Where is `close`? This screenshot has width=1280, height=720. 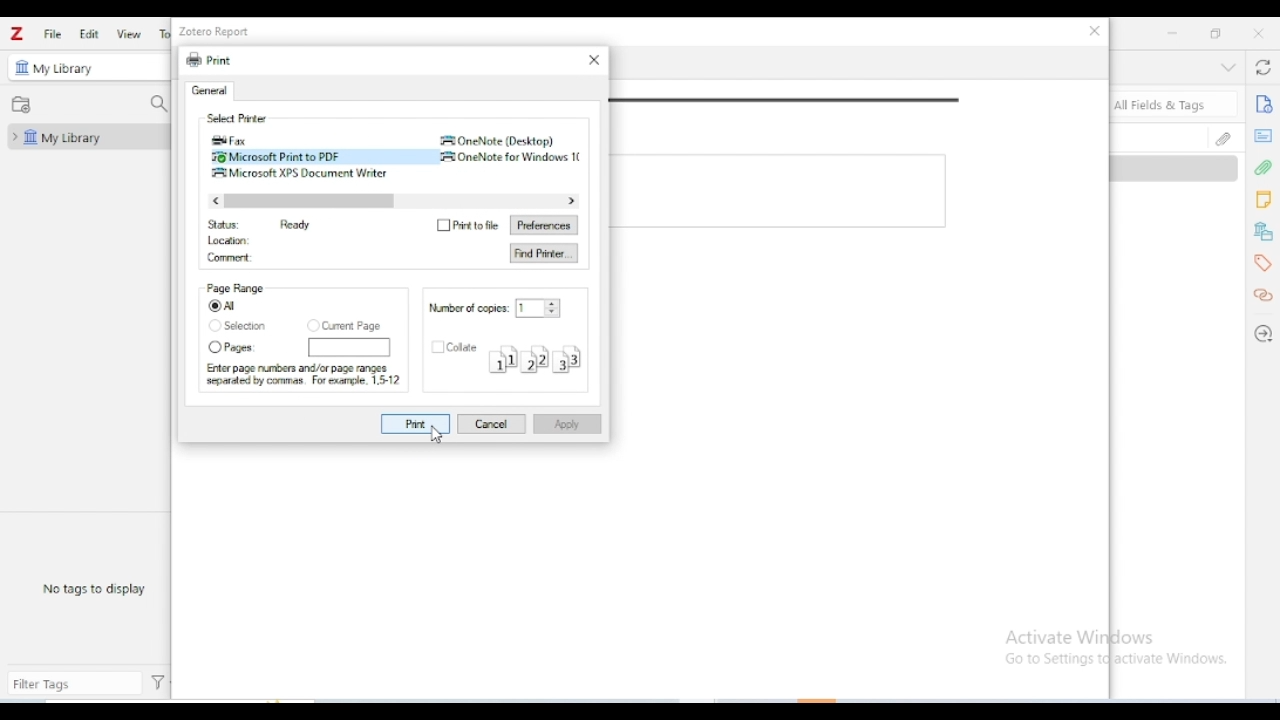
close is located at coordinates (1095, 31).